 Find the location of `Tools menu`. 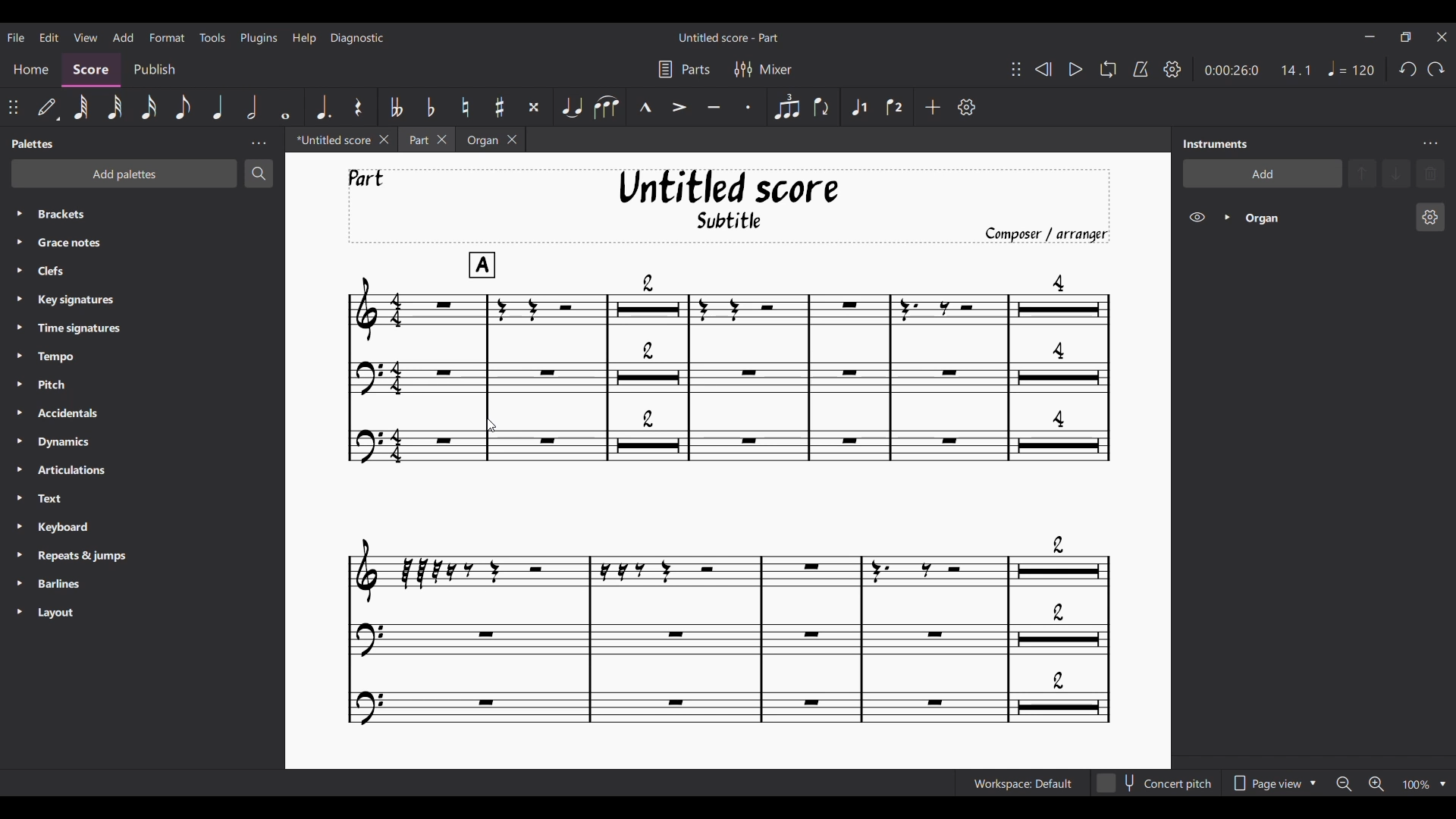

Tools menu is located at coordinates (213, 37).